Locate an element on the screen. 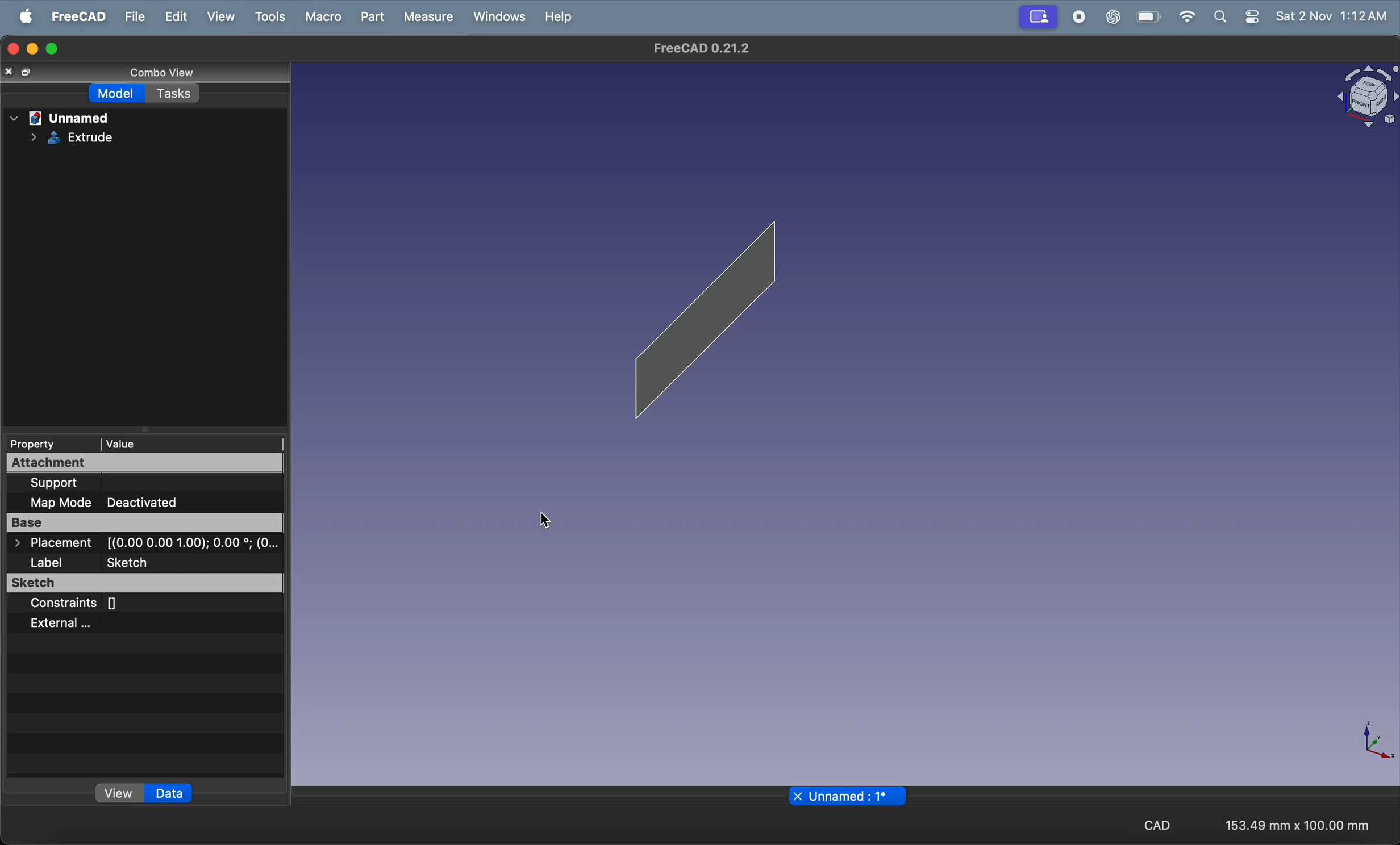 Image resolution: width=1400 pixels, height=845 pixels. deactivated is located at coordinates (149, 502).